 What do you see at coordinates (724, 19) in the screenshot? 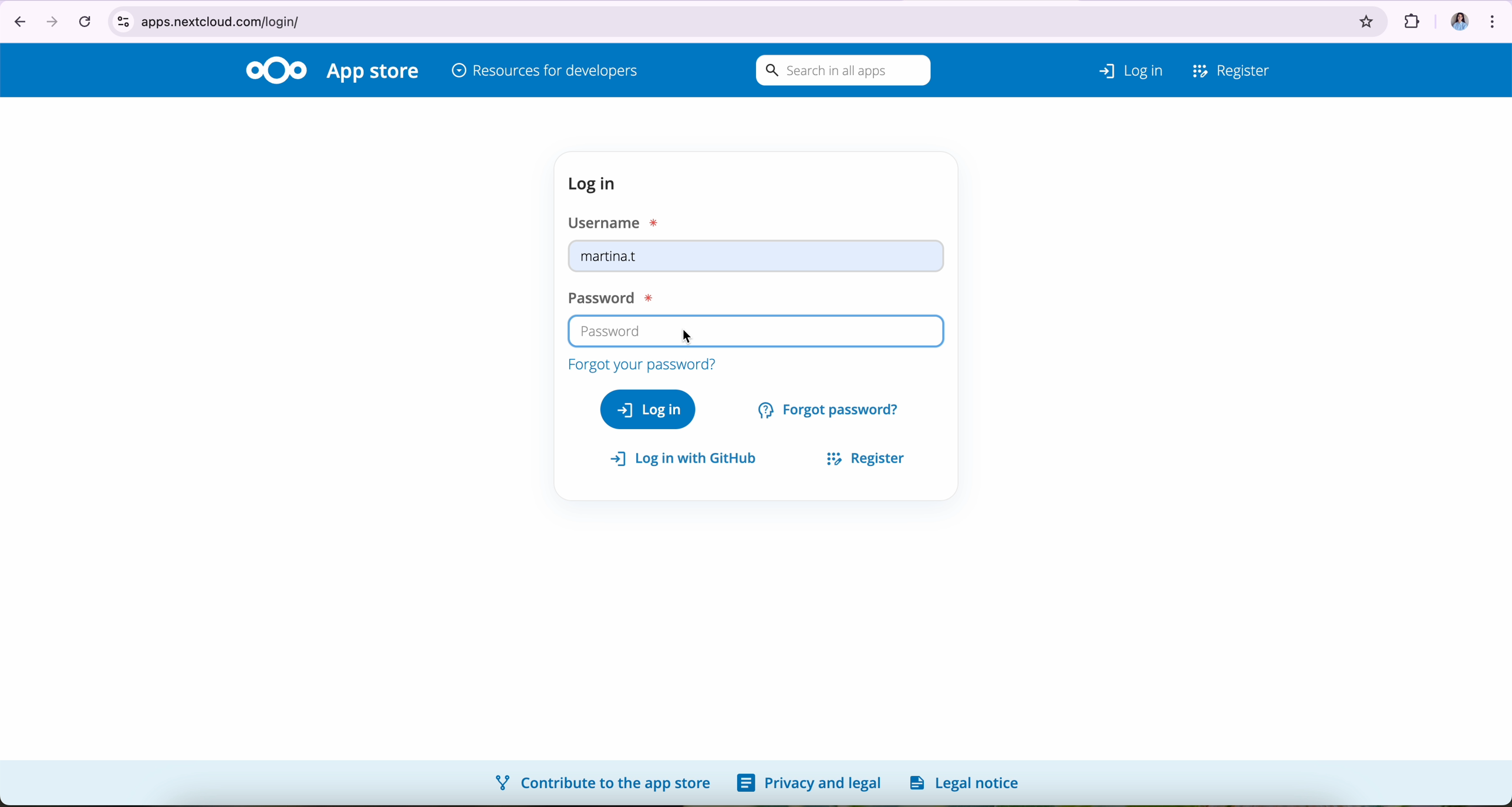
I see `apps.nextcloud.com` at bounding box center [724, 19].